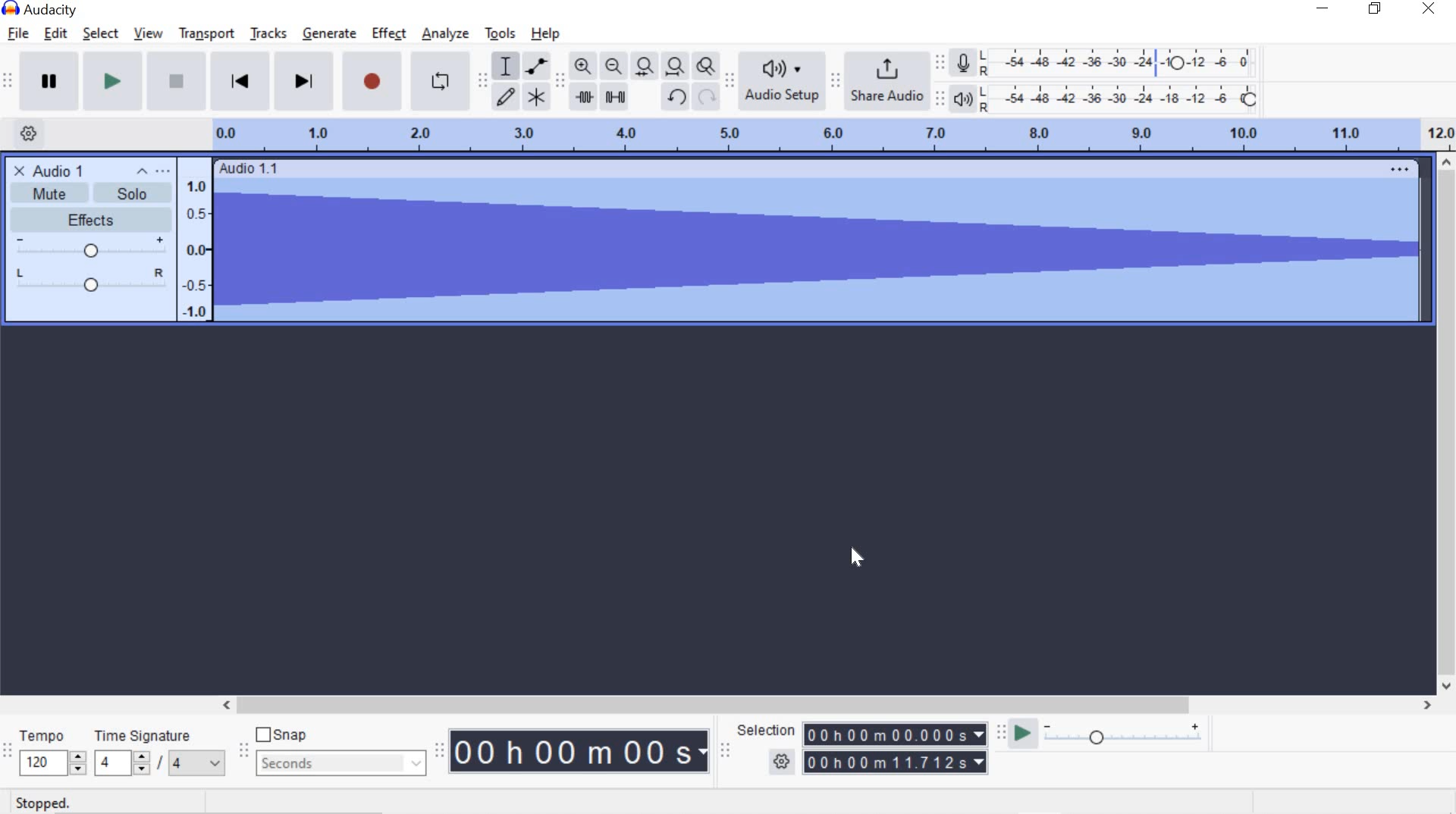 This screenshot has height=814, width=1456. Describe the element at coordinates (939, 64) in the screenshot. I see `Recording meter toolbar` at that location.